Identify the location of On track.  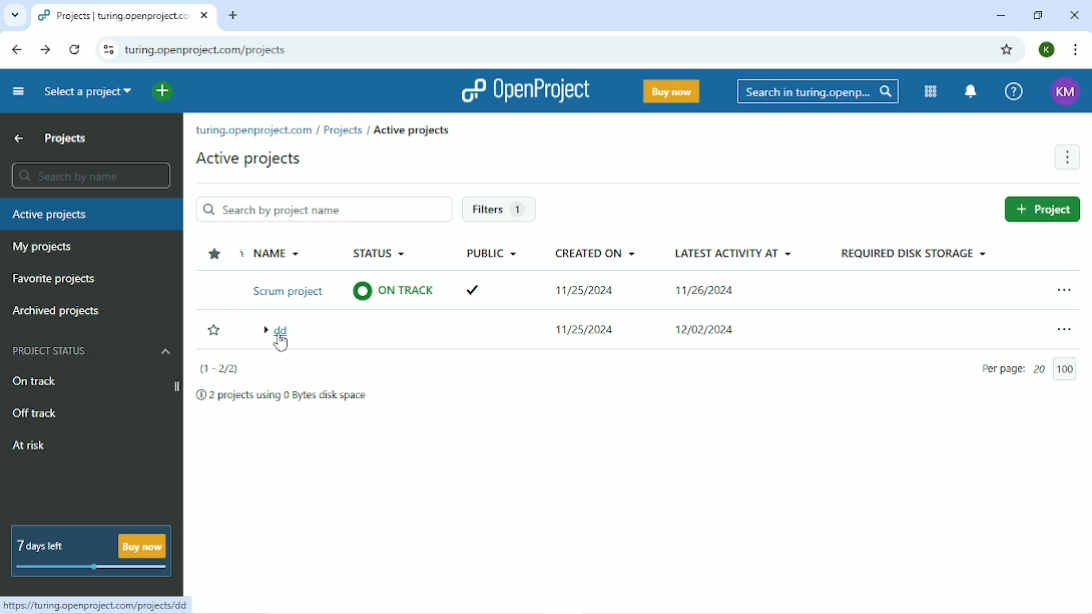
(36, 382).